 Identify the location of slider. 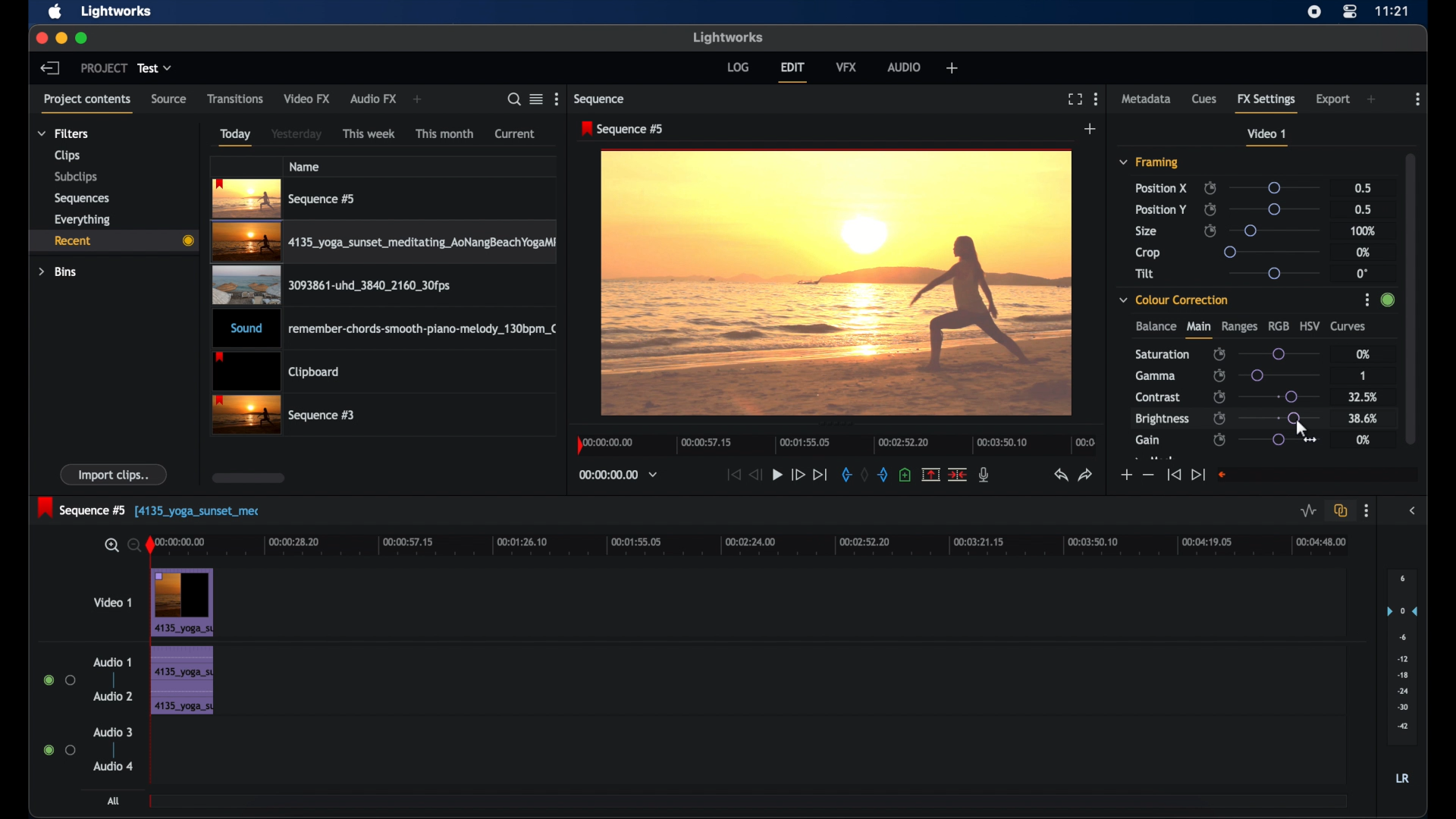
(1273, 188).